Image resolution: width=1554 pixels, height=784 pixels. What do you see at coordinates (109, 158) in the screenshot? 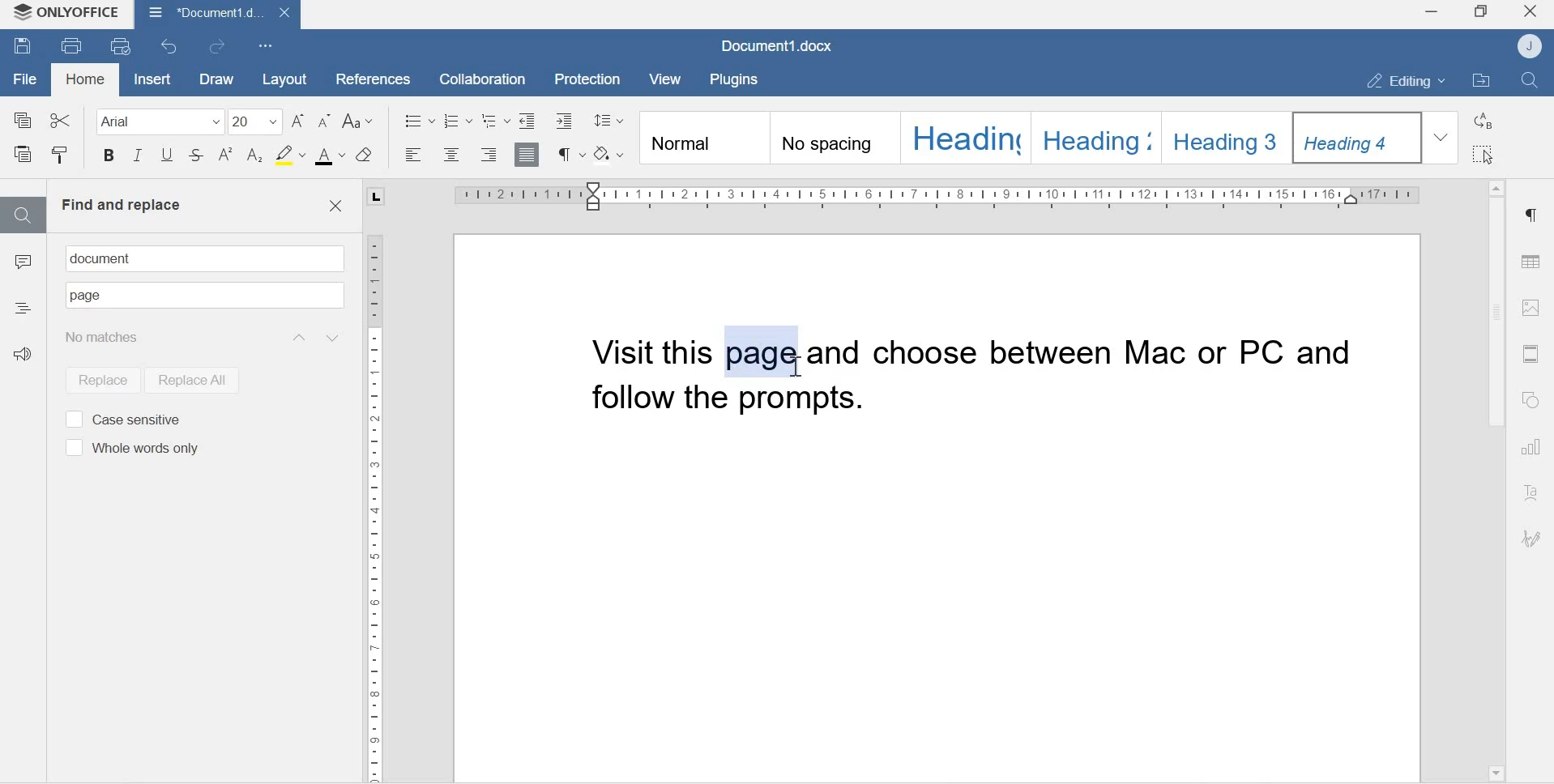
I see `Bold` at bounding box center [109, 158].